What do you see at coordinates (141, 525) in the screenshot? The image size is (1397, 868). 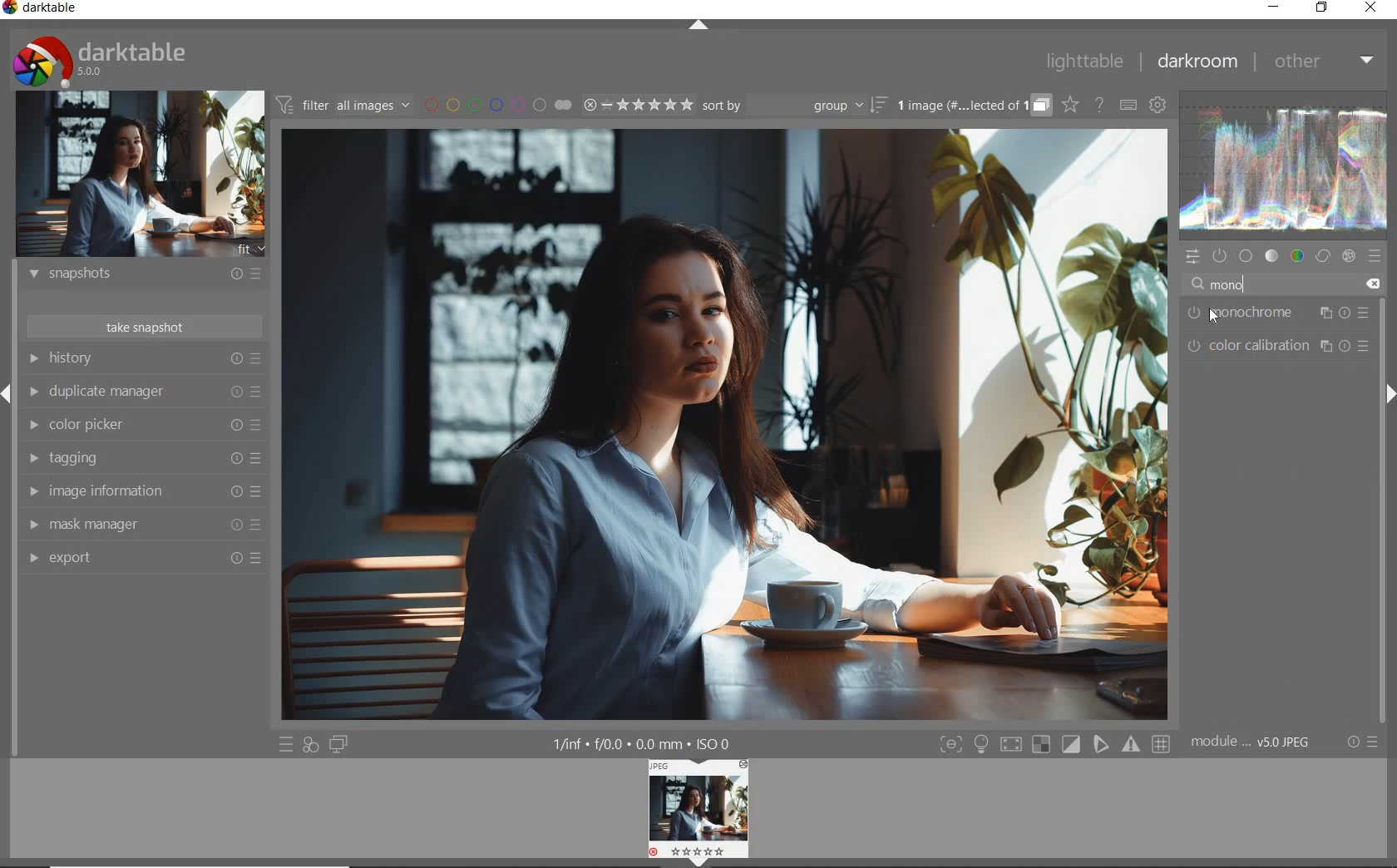 I see `mask manager` at bounding box center [141, 525].